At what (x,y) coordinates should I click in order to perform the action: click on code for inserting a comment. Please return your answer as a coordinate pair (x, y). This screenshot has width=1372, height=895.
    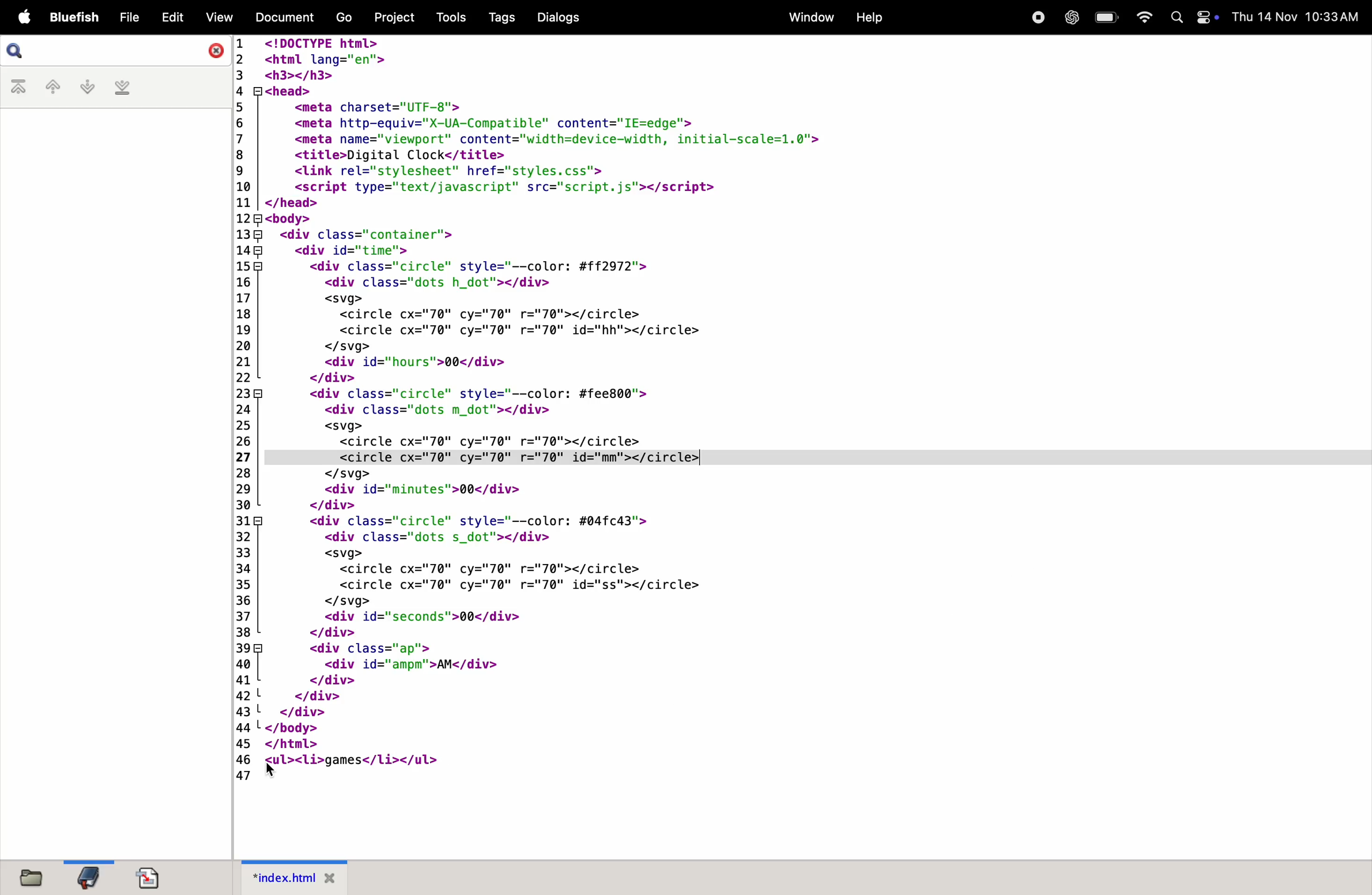
    Looking at the image, I should click on (661, 410).